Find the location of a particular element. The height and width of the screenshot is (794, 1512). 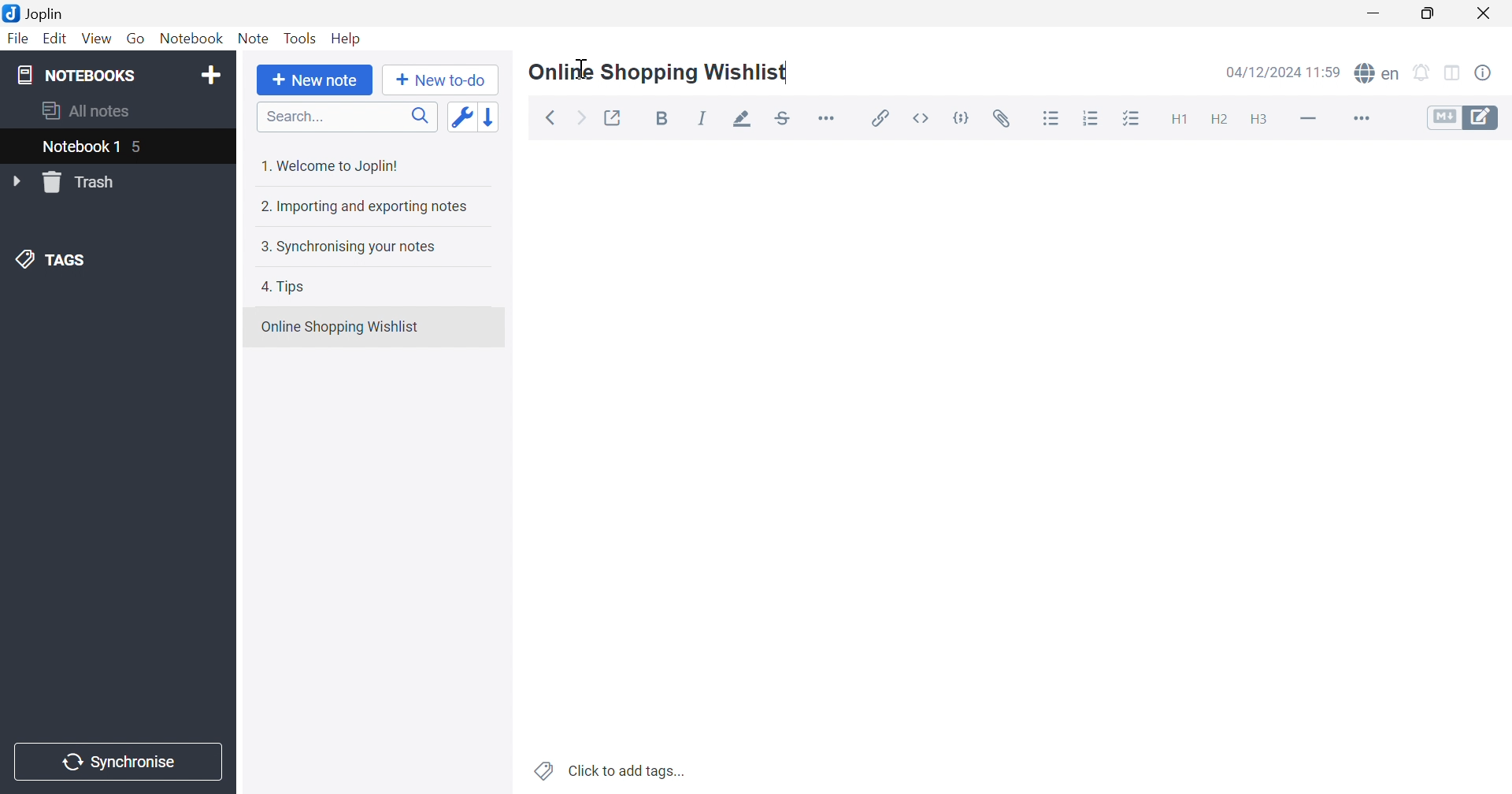

Toggle external editing is located at coordinates (616, 117).